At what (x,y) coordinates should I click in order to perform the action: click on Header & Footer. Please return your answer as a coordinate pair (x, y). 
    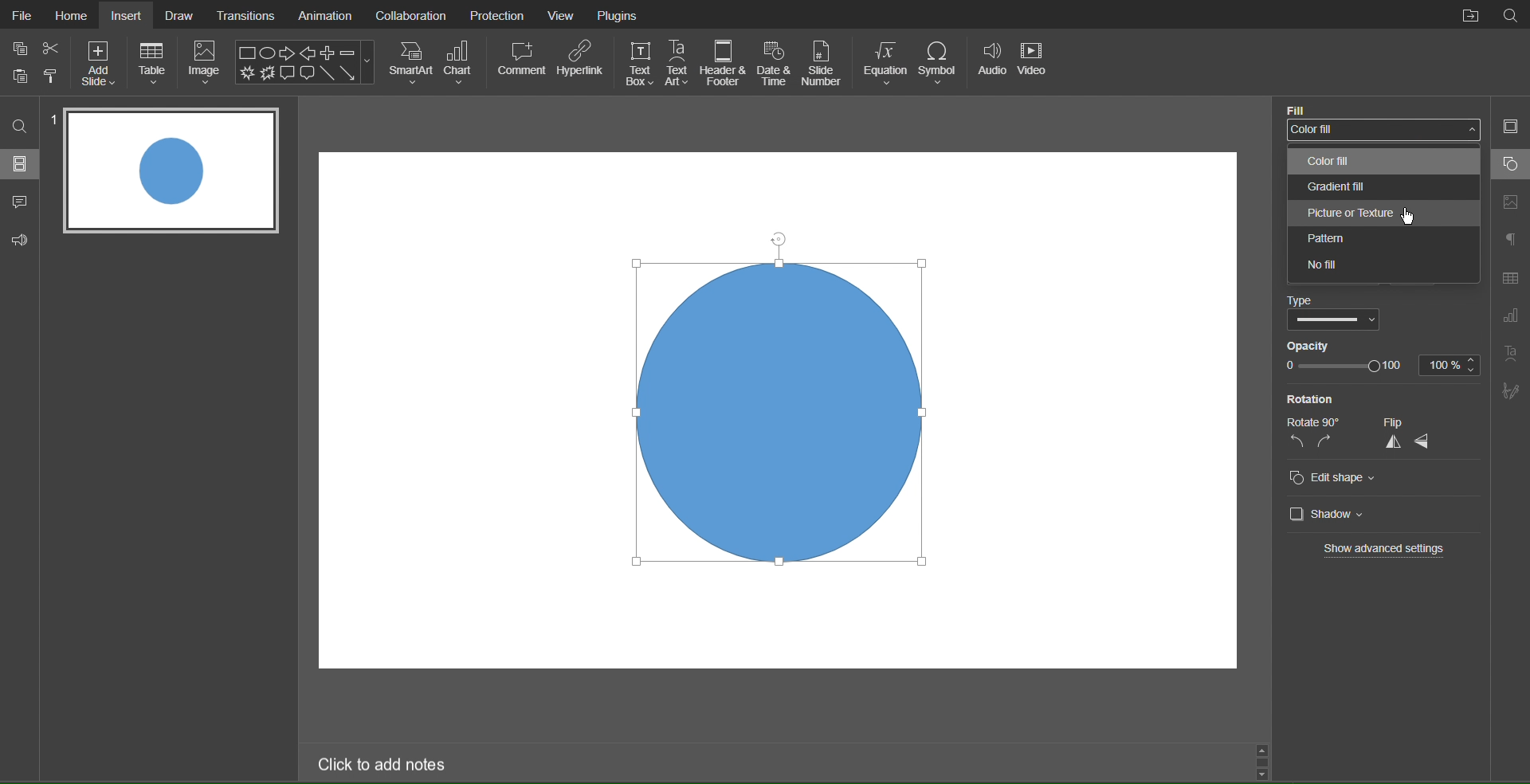
    Looking at the image, I should click on (727, 62).